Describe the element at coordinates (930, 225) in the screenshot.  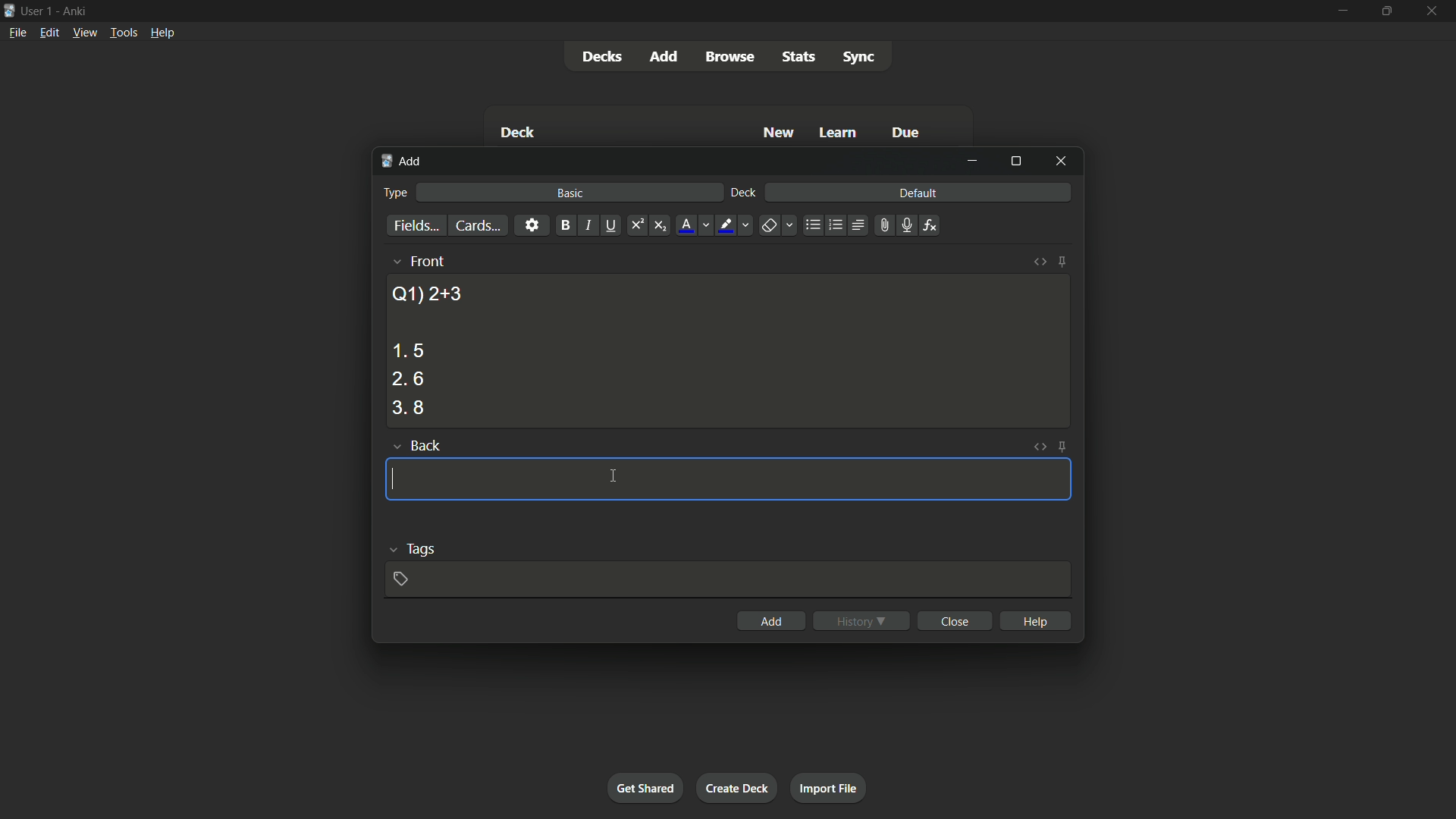
I see `equations` at that location.